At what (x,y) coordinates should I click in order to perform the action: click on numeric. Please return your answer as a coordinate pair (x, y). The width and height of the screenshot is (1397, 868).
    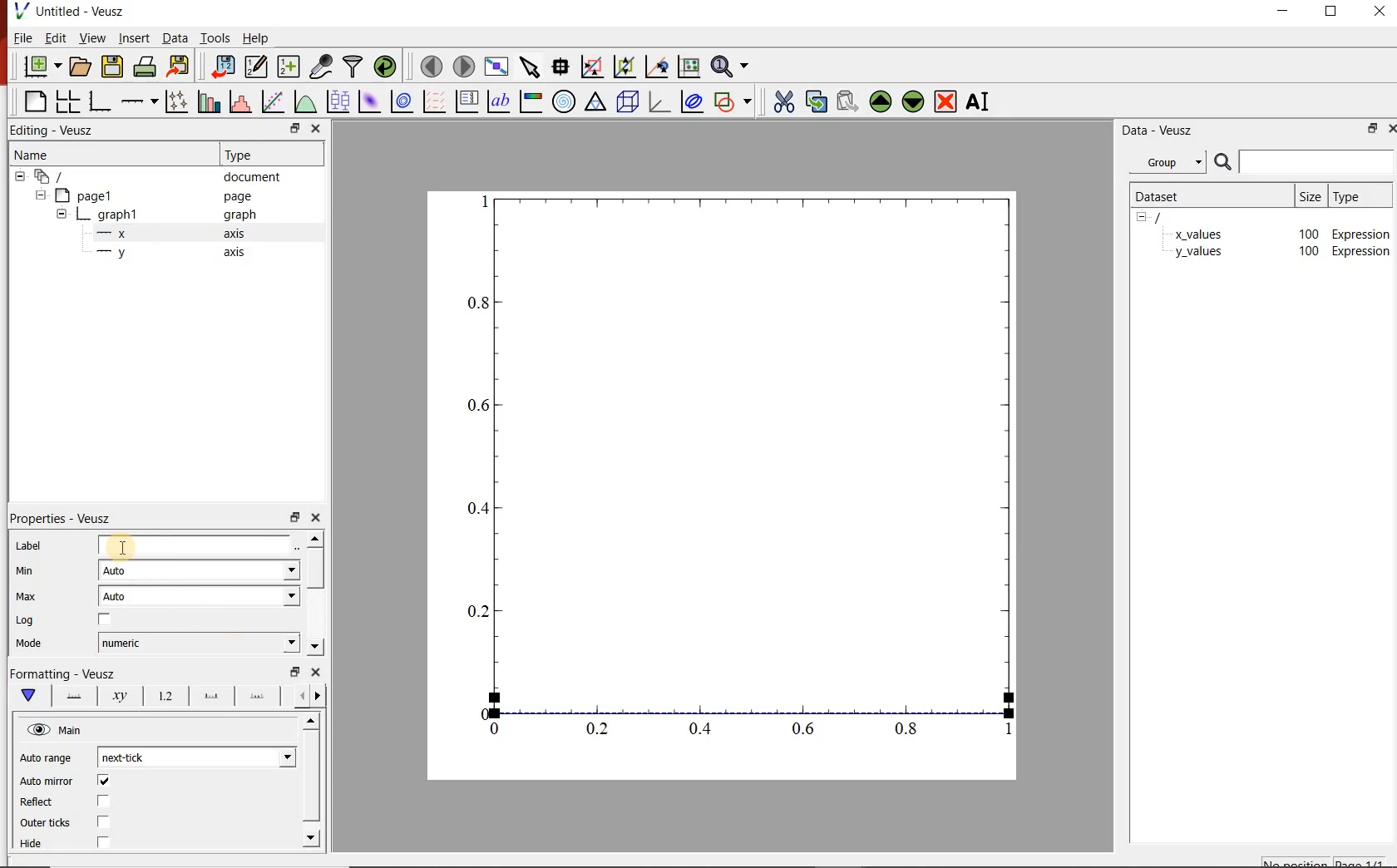
    Looking at the image, I should click on (198, 642).